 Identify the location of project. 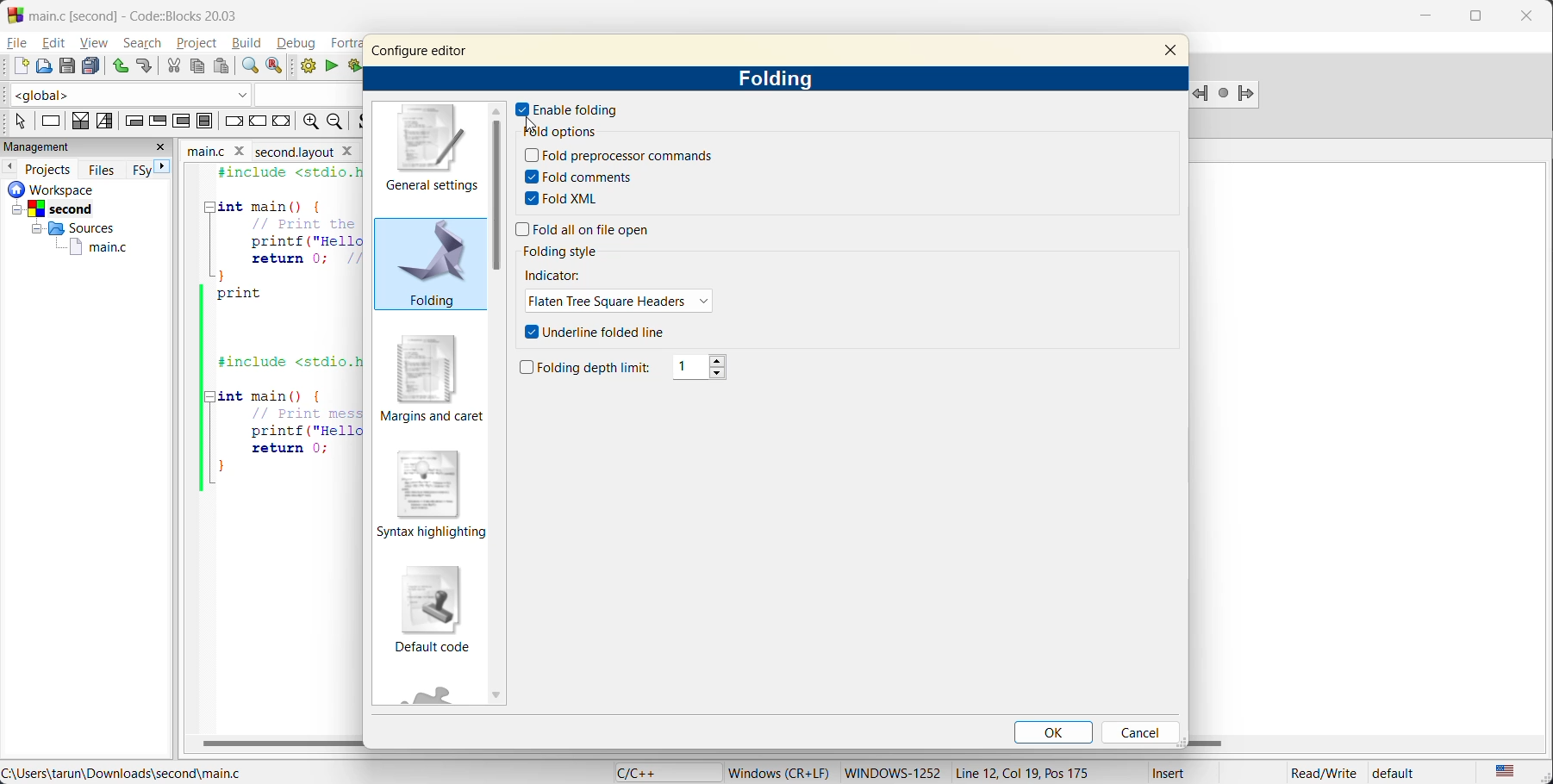
(199, 44).